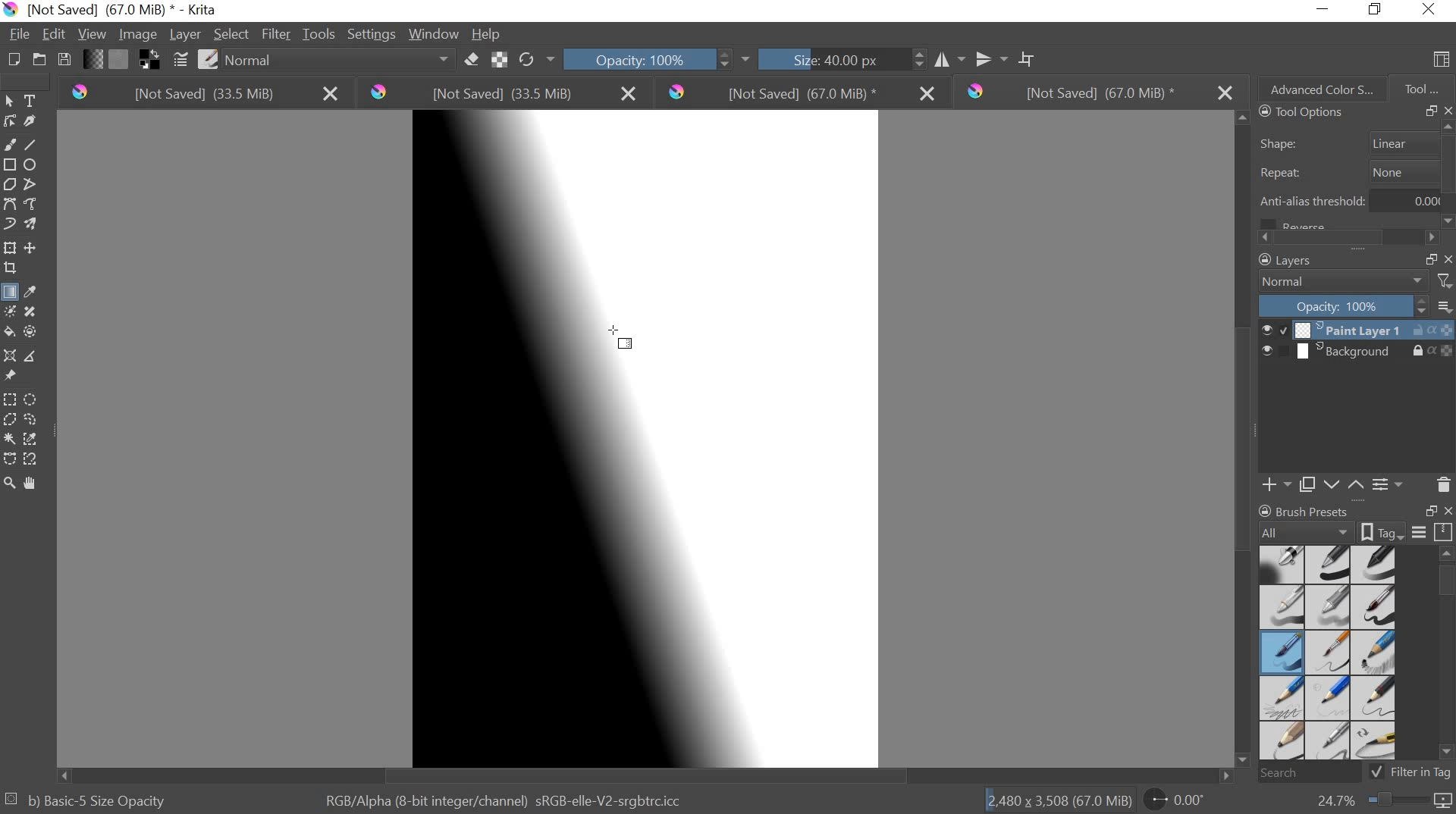 The height and width of the screenshot is (814, 1456). Describe the element at coordinates (36, 481) in the screenshot. I see `pan` at that location.